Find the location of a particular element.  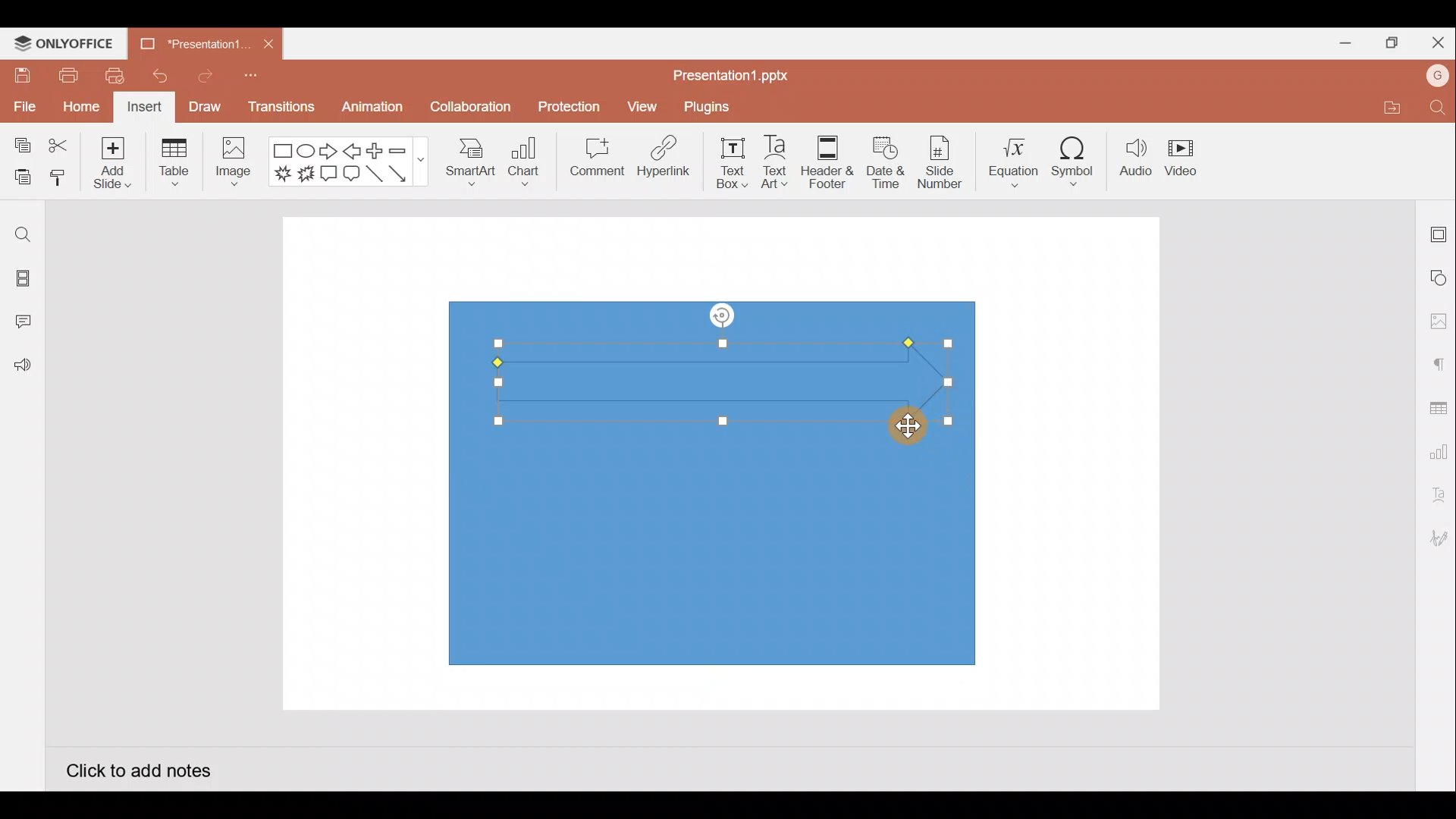

Redo is located at coordinates (199, 75).